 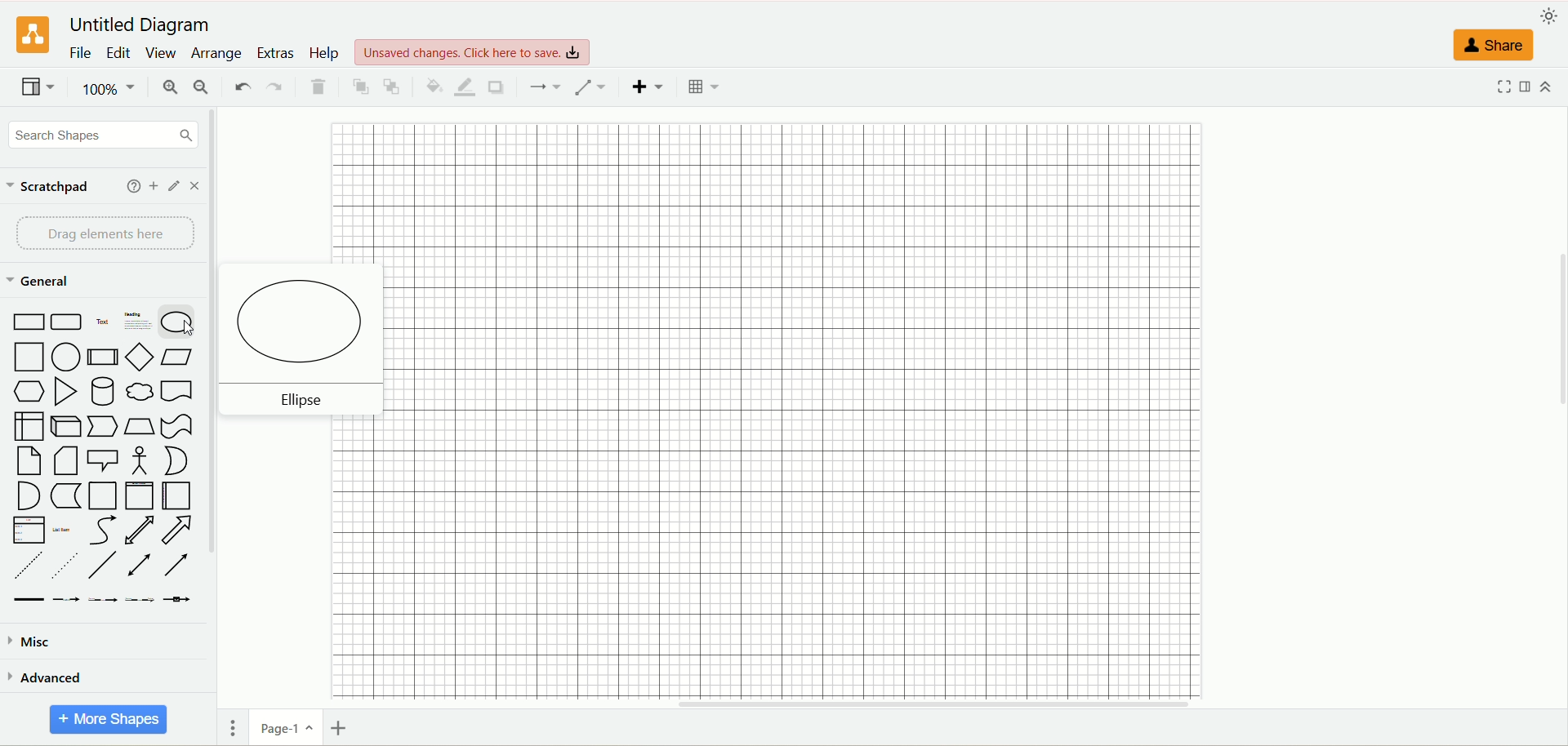 What do you see at coordinates (29, 531) in the screenshot?
I see `list` at bounding box center [29, 531].